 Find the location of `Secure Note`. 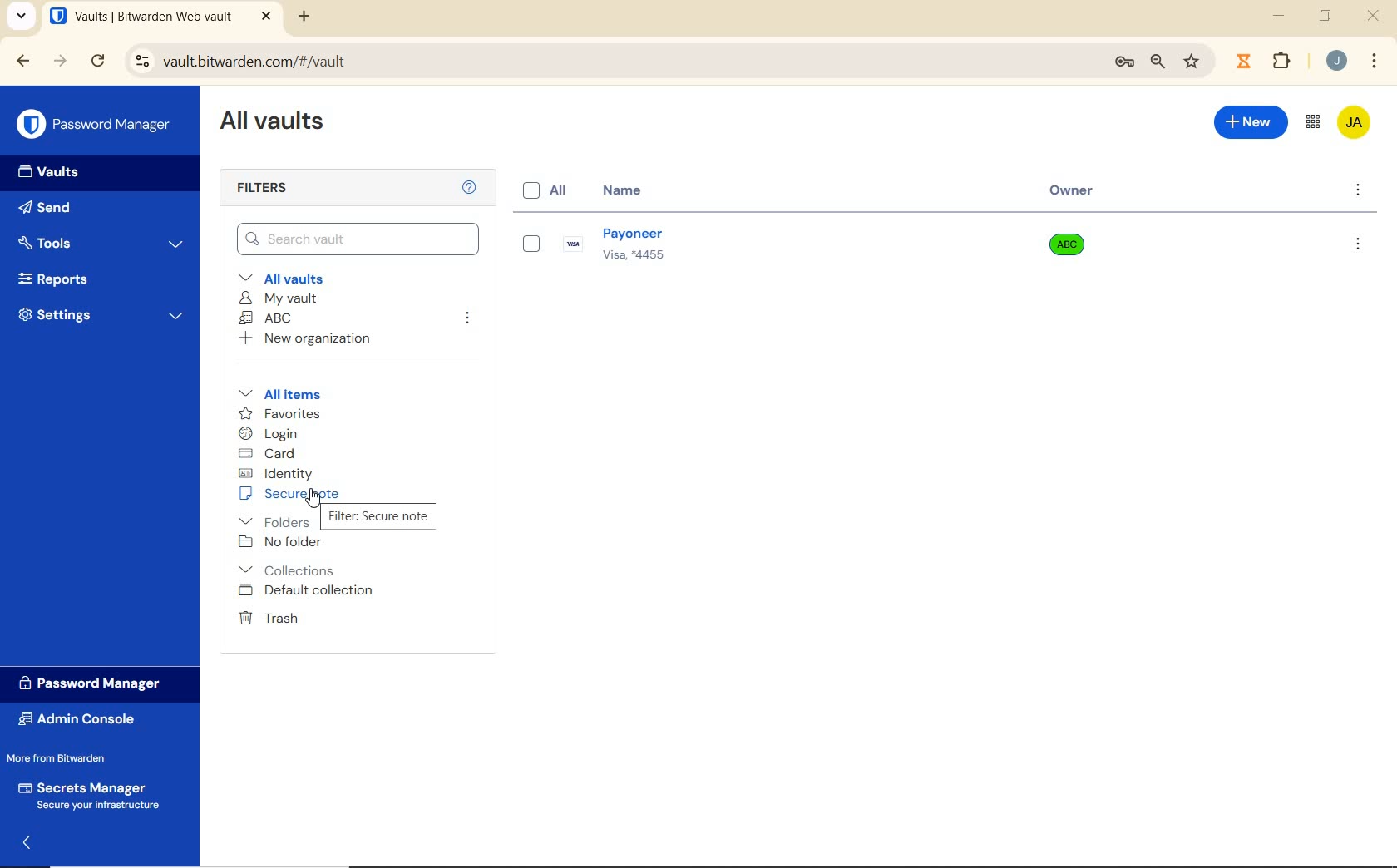

Secure Note is located at coordinates (377, 518).